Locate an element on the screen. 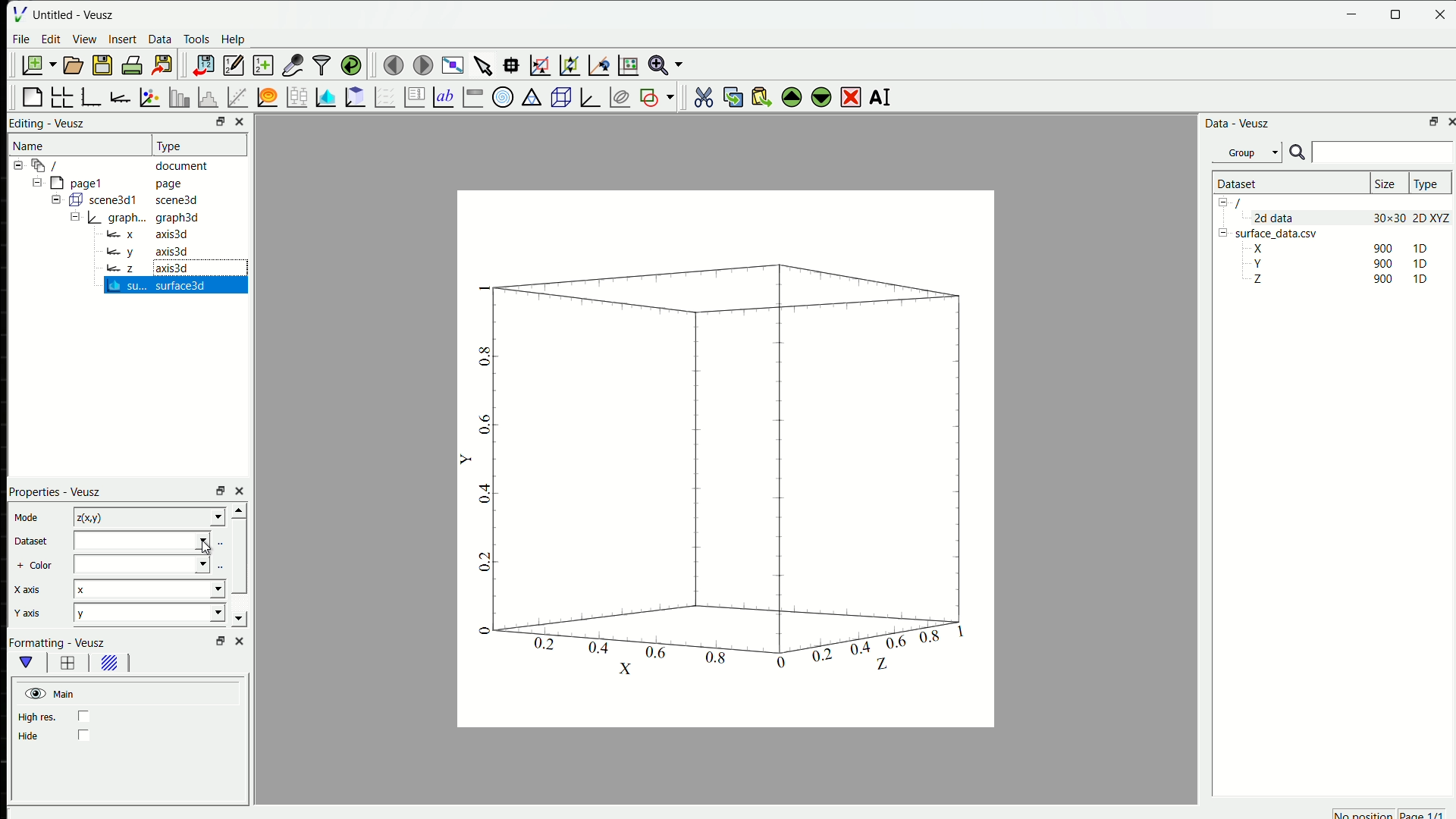  import data is located at coordinates (204, 65).